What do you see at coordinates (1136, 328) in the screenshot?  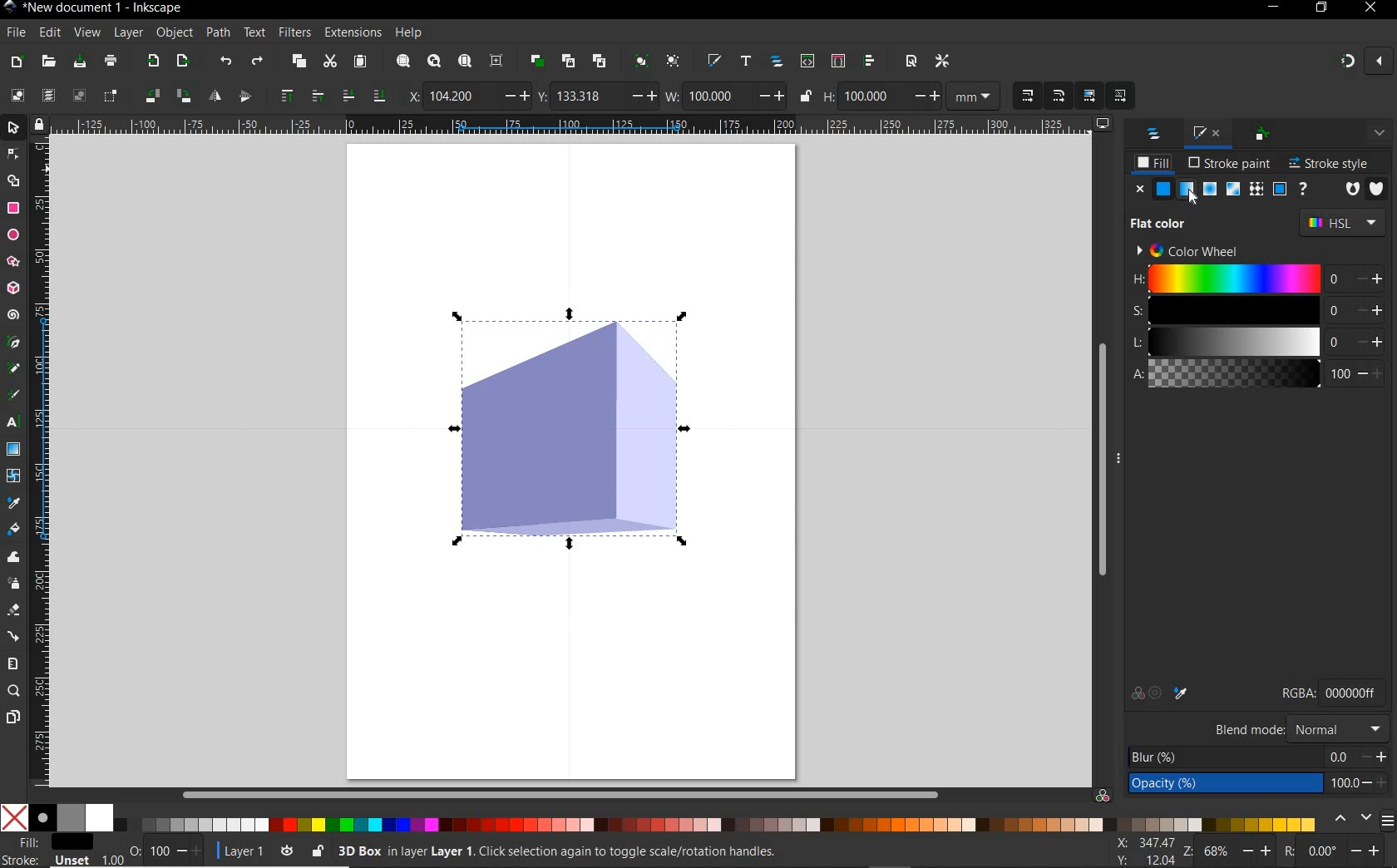 I see `HSLA` at bounding box center [1136, 328].